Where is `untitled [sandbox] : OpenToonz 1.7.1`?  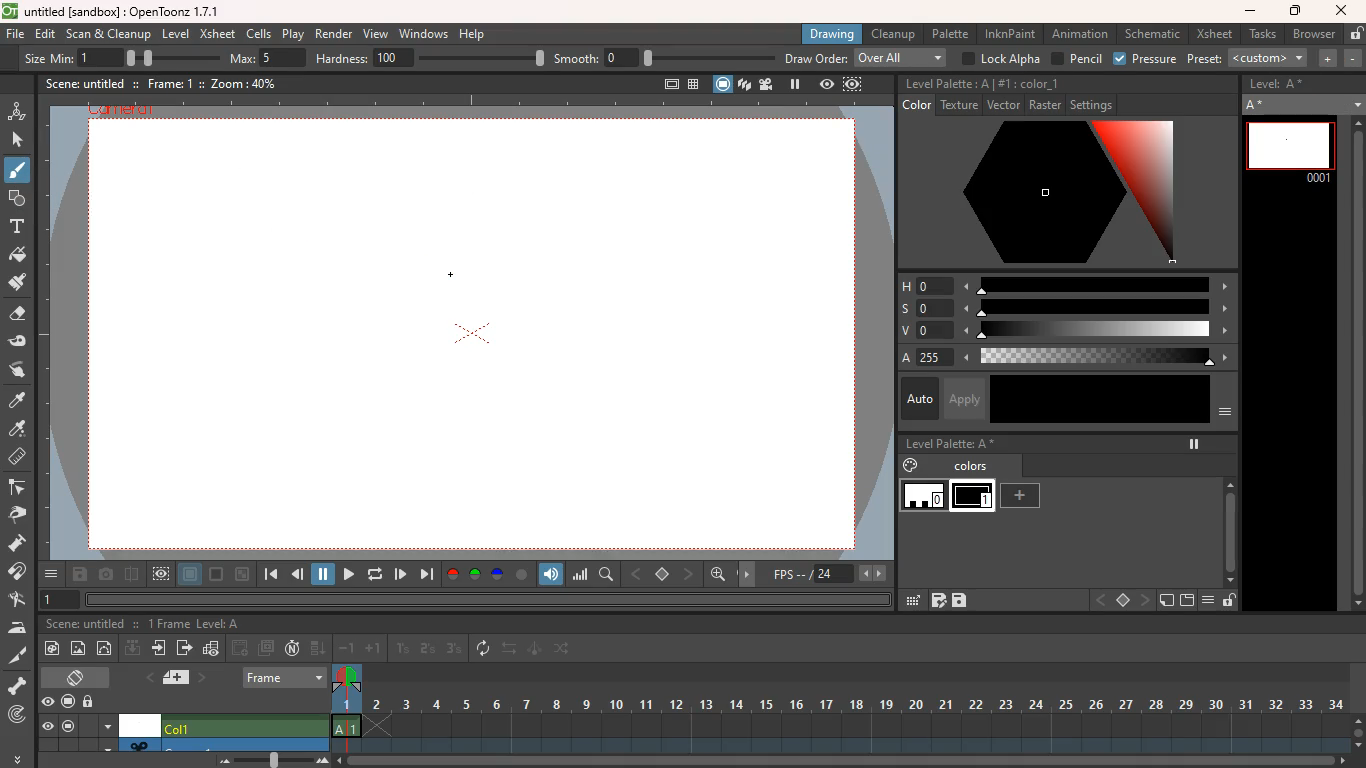 untitled [sandbox] : OpenToonz 1.7.1 is located at coordinates (112, 11).